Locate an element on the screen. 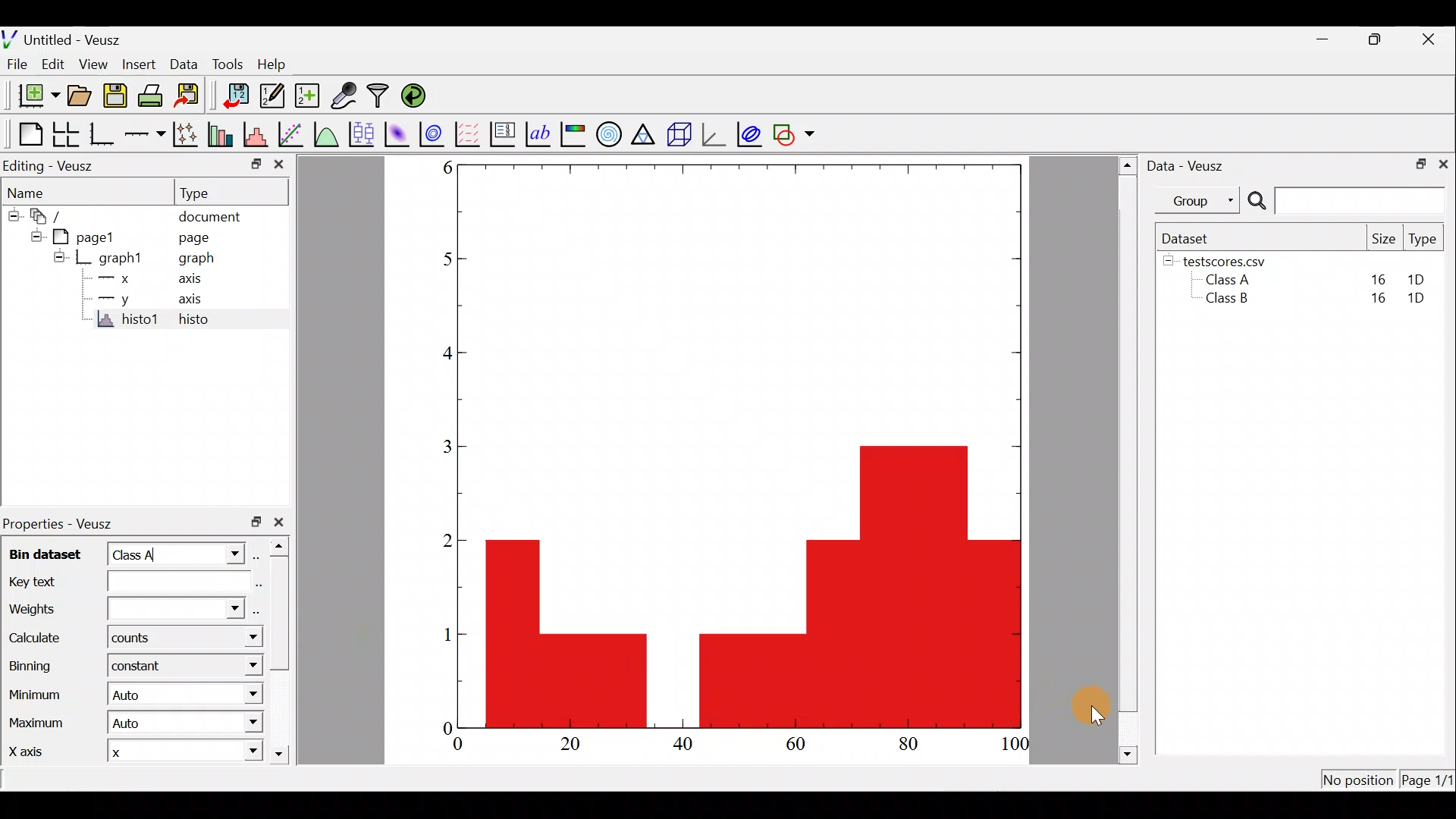  Size is located at coordinates (1384, 238).